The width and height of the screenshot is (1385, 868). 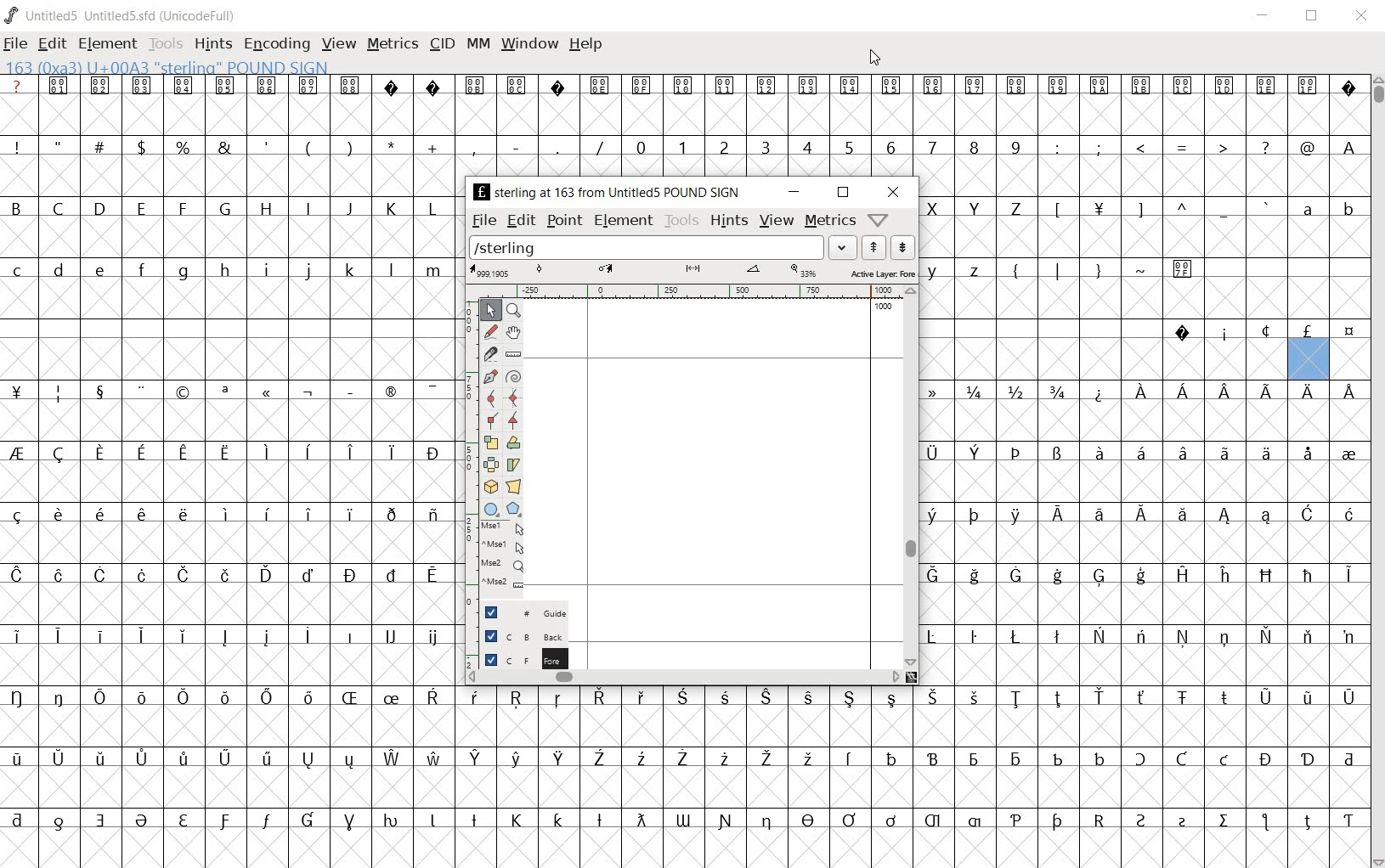 I want to click on Symbol, so click(x=517, y=84).